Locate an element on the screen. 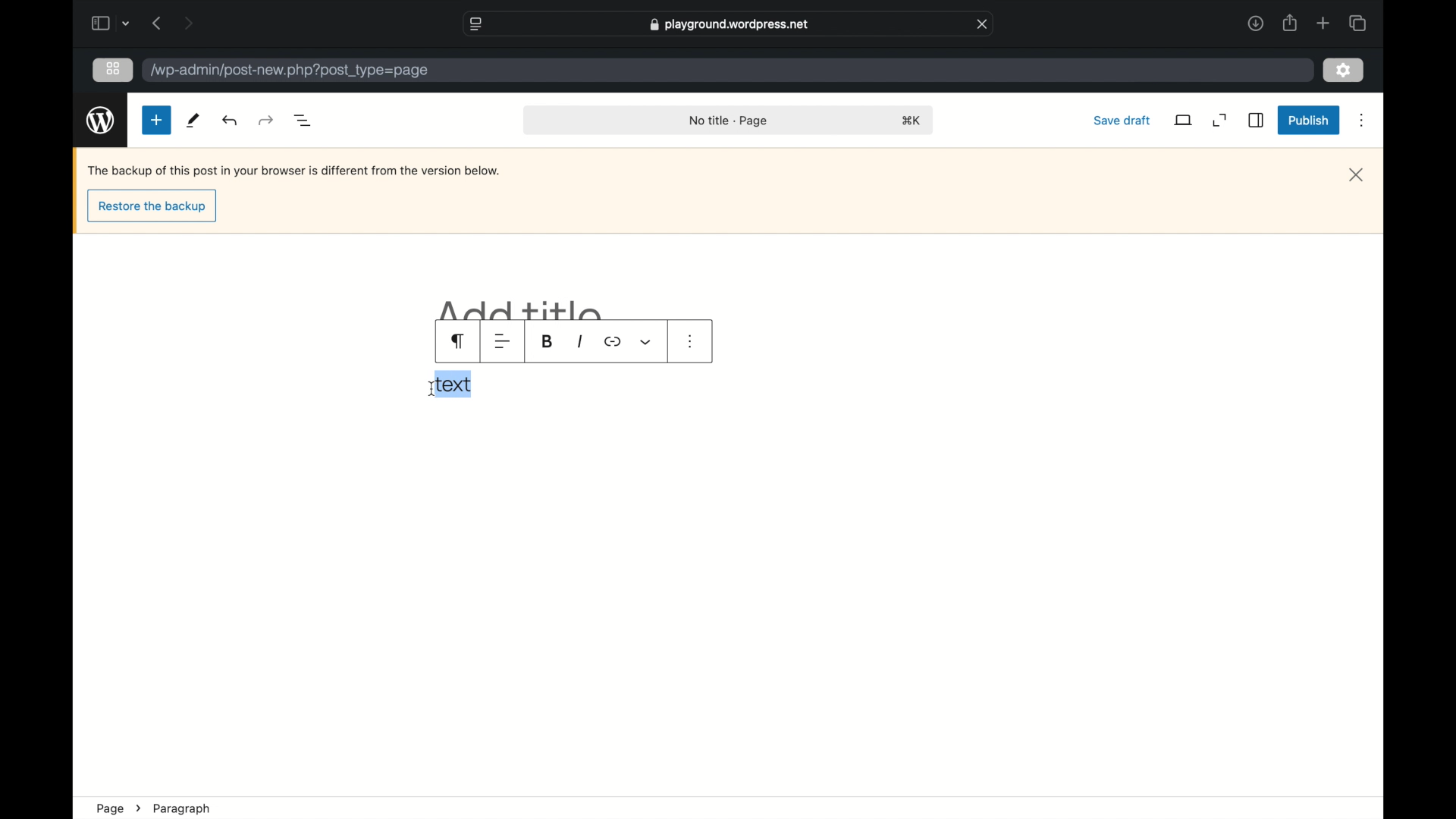  redo is located at coordinates (231, 120).